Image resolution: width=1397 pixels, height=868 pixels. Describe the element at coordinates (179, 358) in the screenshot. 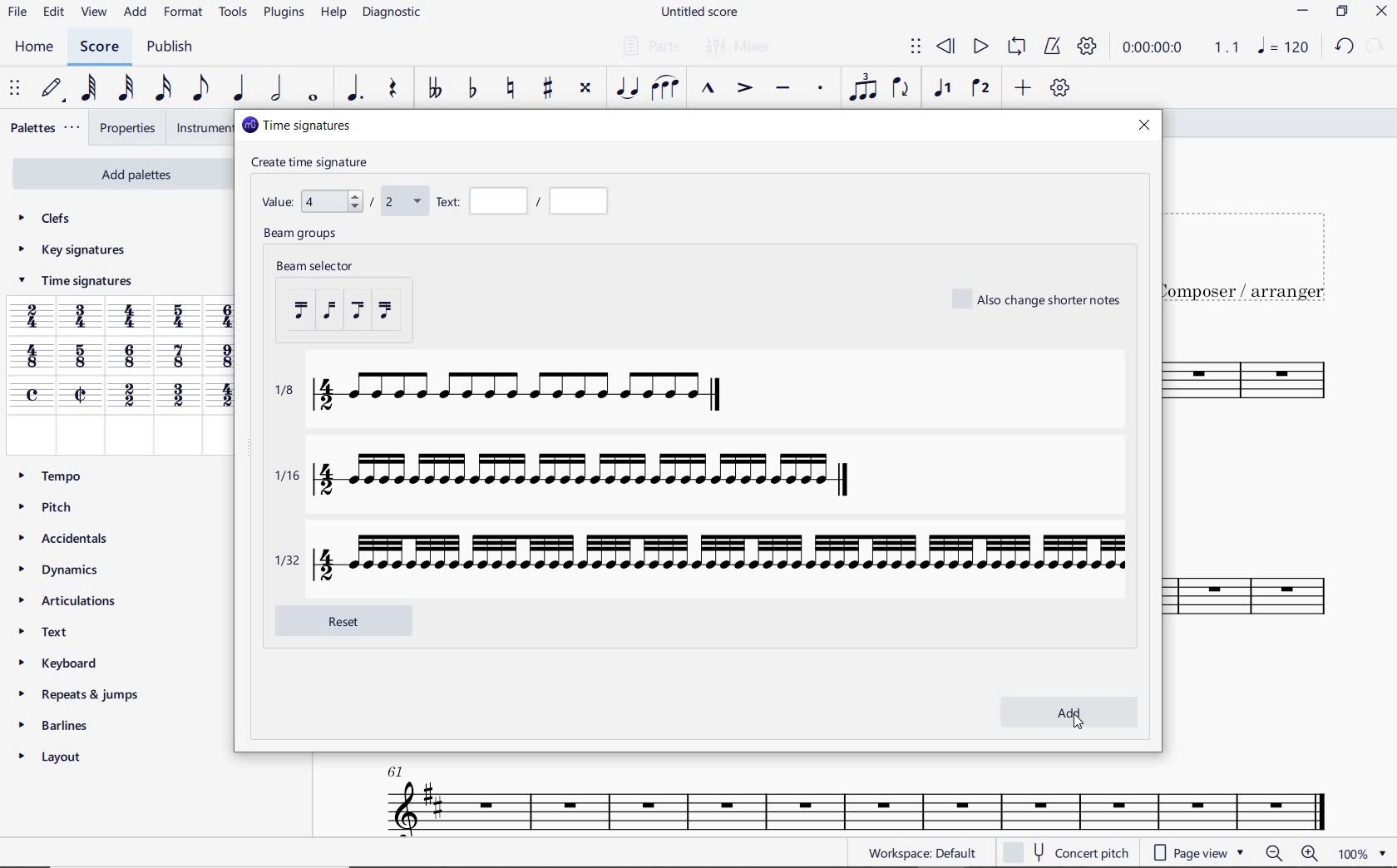

I see `7/8` at that location.